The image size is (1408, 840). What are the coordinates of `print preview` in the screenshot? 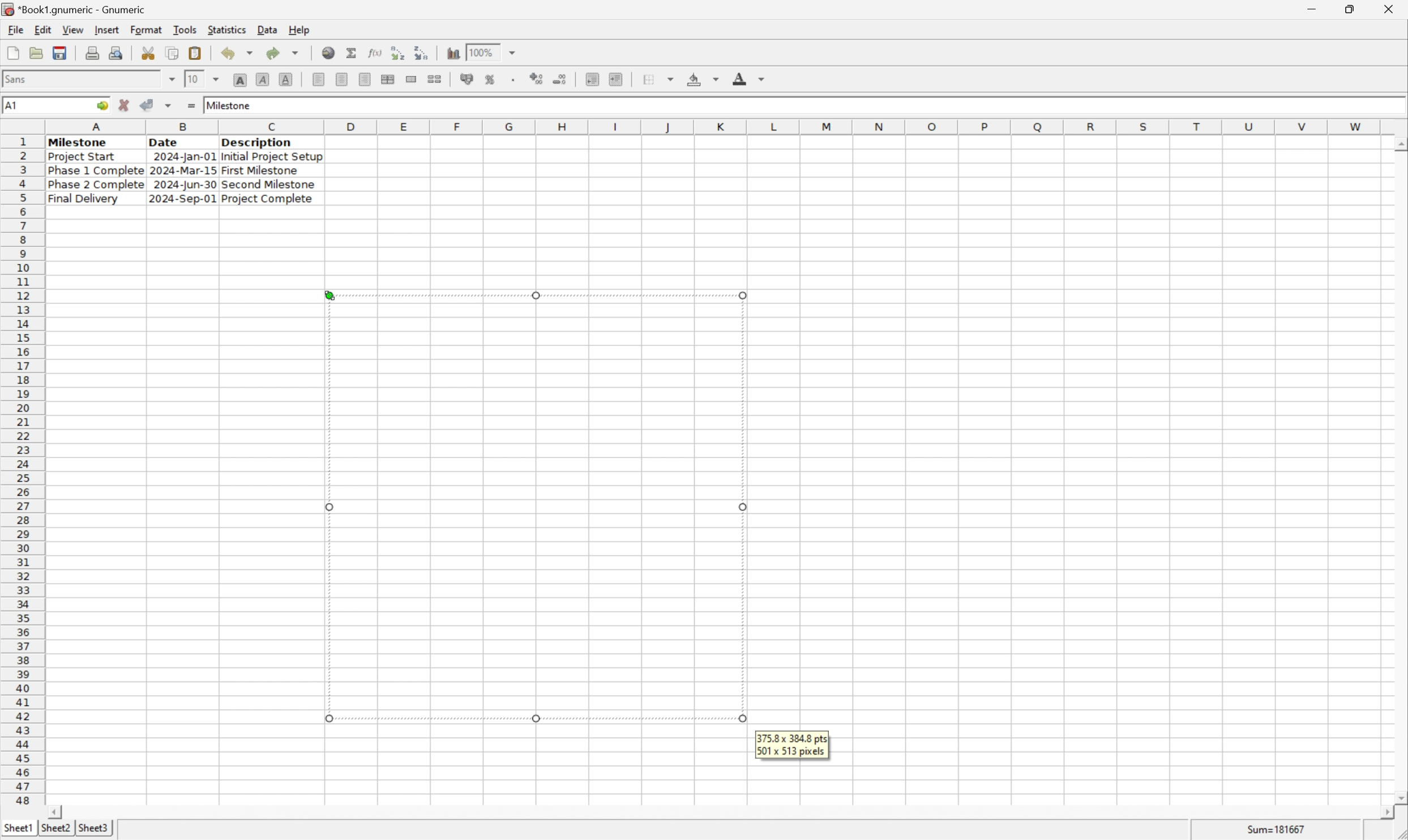 It's located at (92, 52).